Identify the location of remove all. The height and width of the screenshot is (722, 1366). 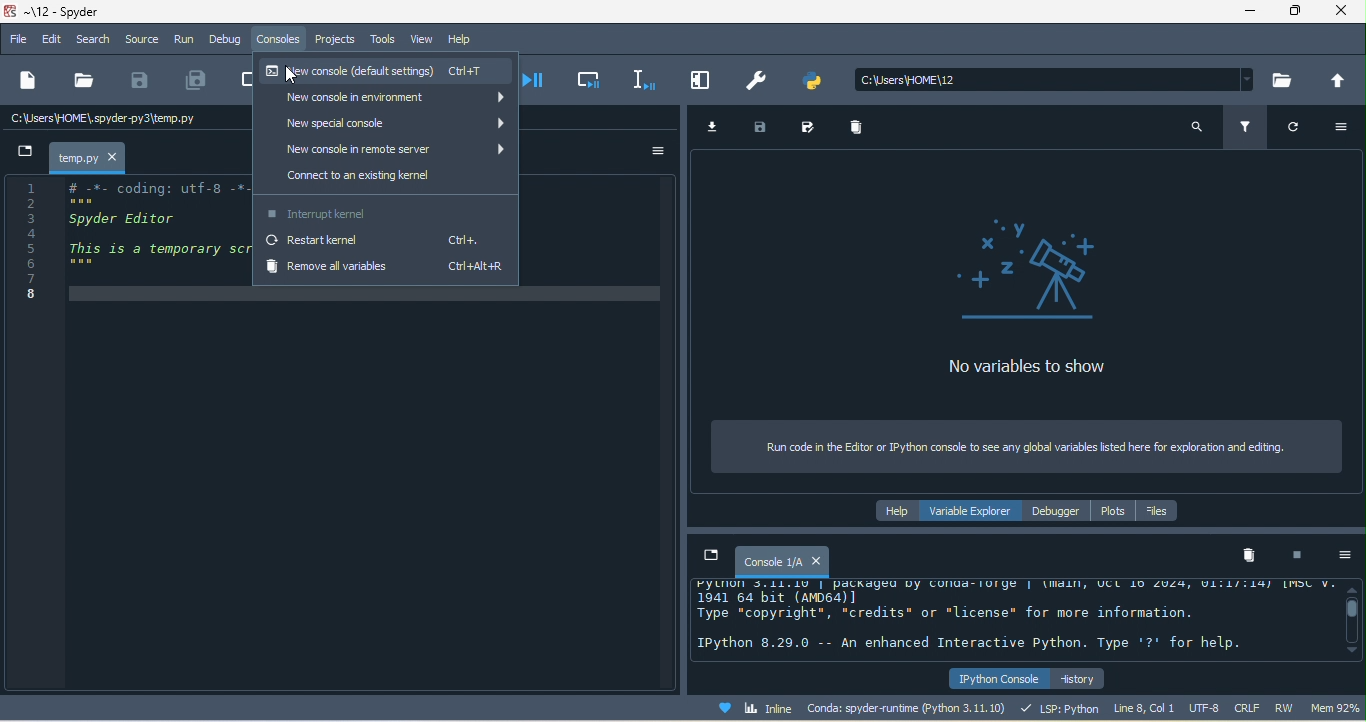
(862, 132).